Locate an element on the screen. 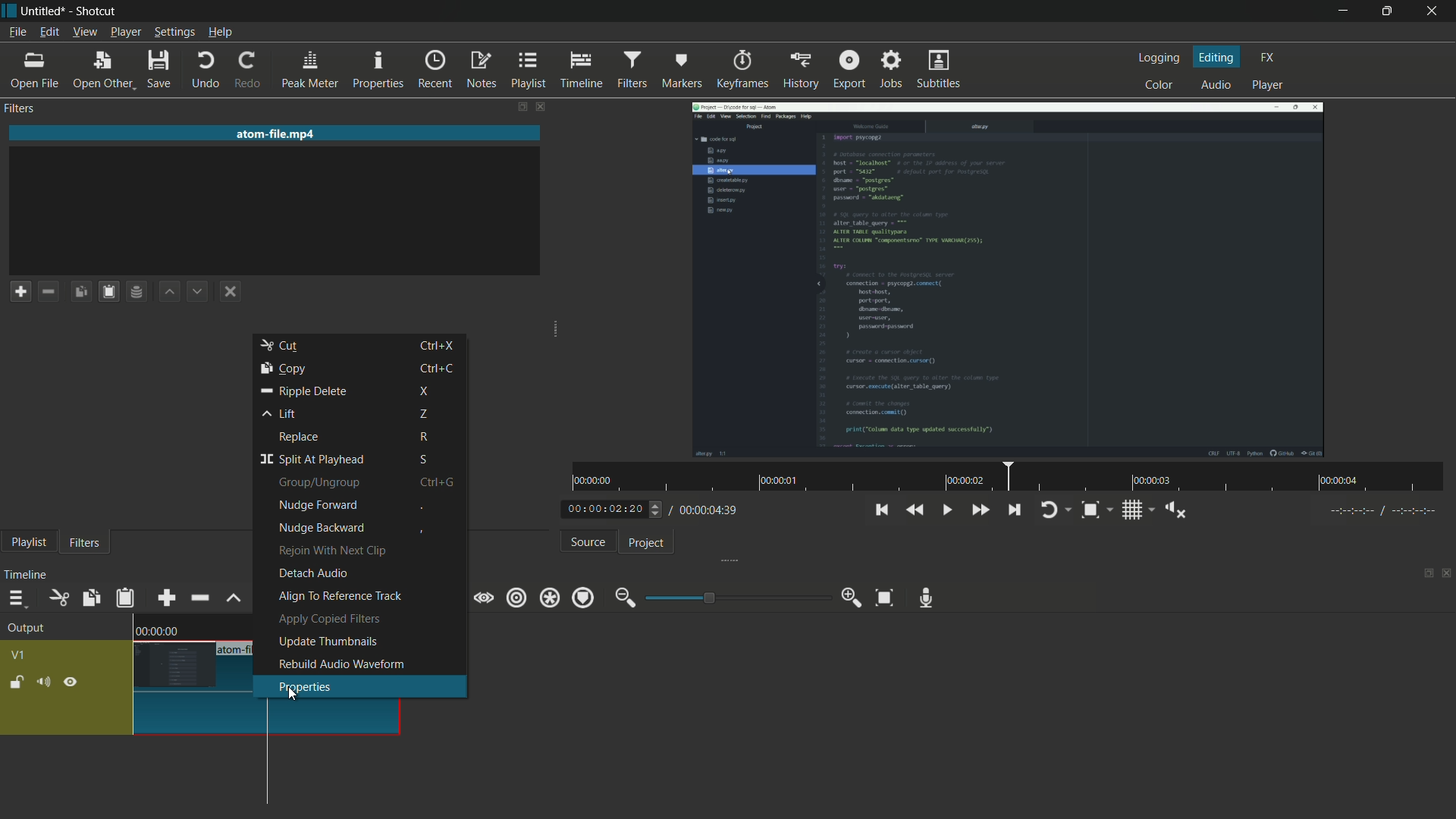  change layout is located at coordinates (1423, 576).